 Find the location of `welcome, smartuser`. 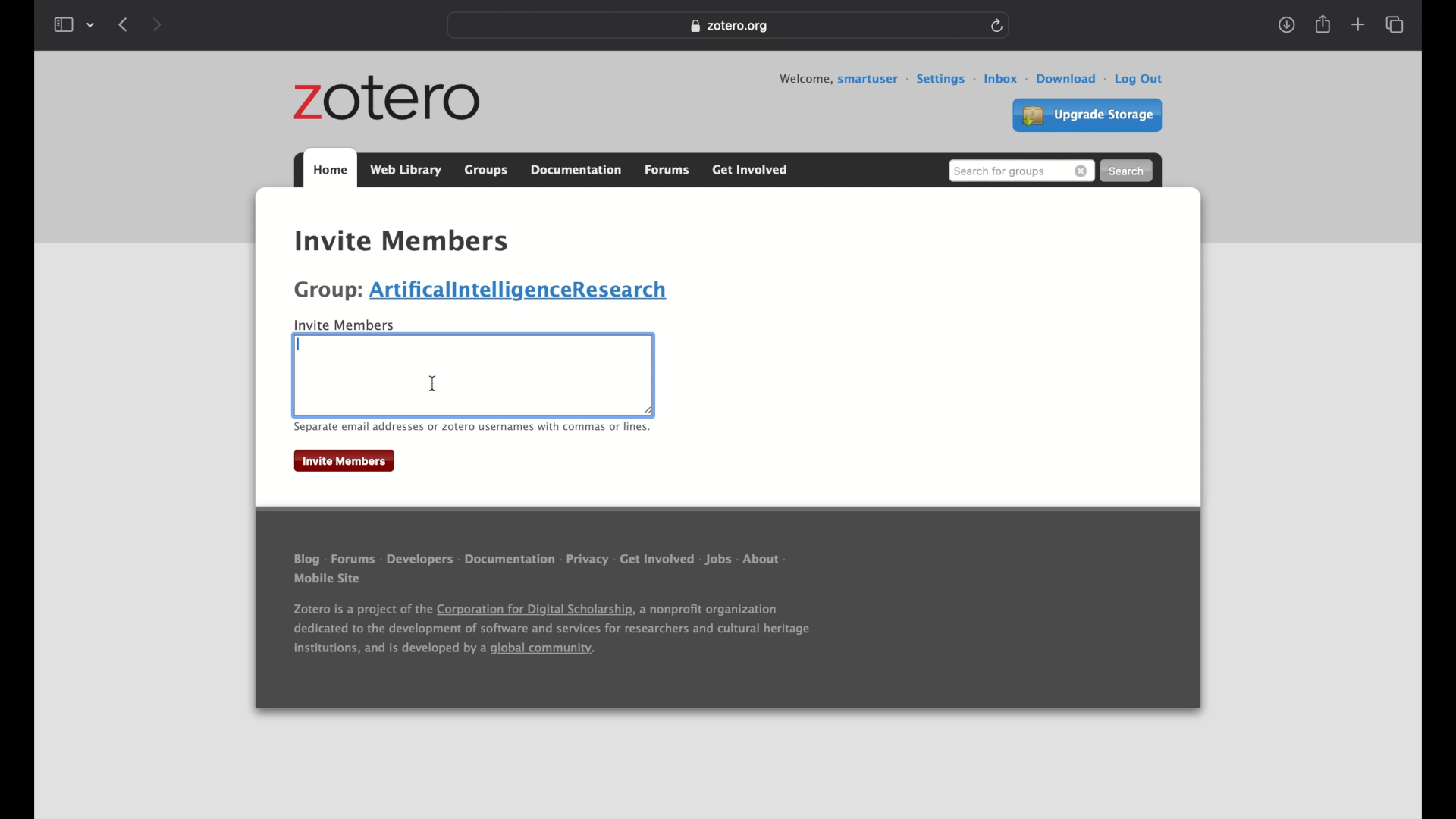

welcome, smartuser is located at coordinates (844, 80).